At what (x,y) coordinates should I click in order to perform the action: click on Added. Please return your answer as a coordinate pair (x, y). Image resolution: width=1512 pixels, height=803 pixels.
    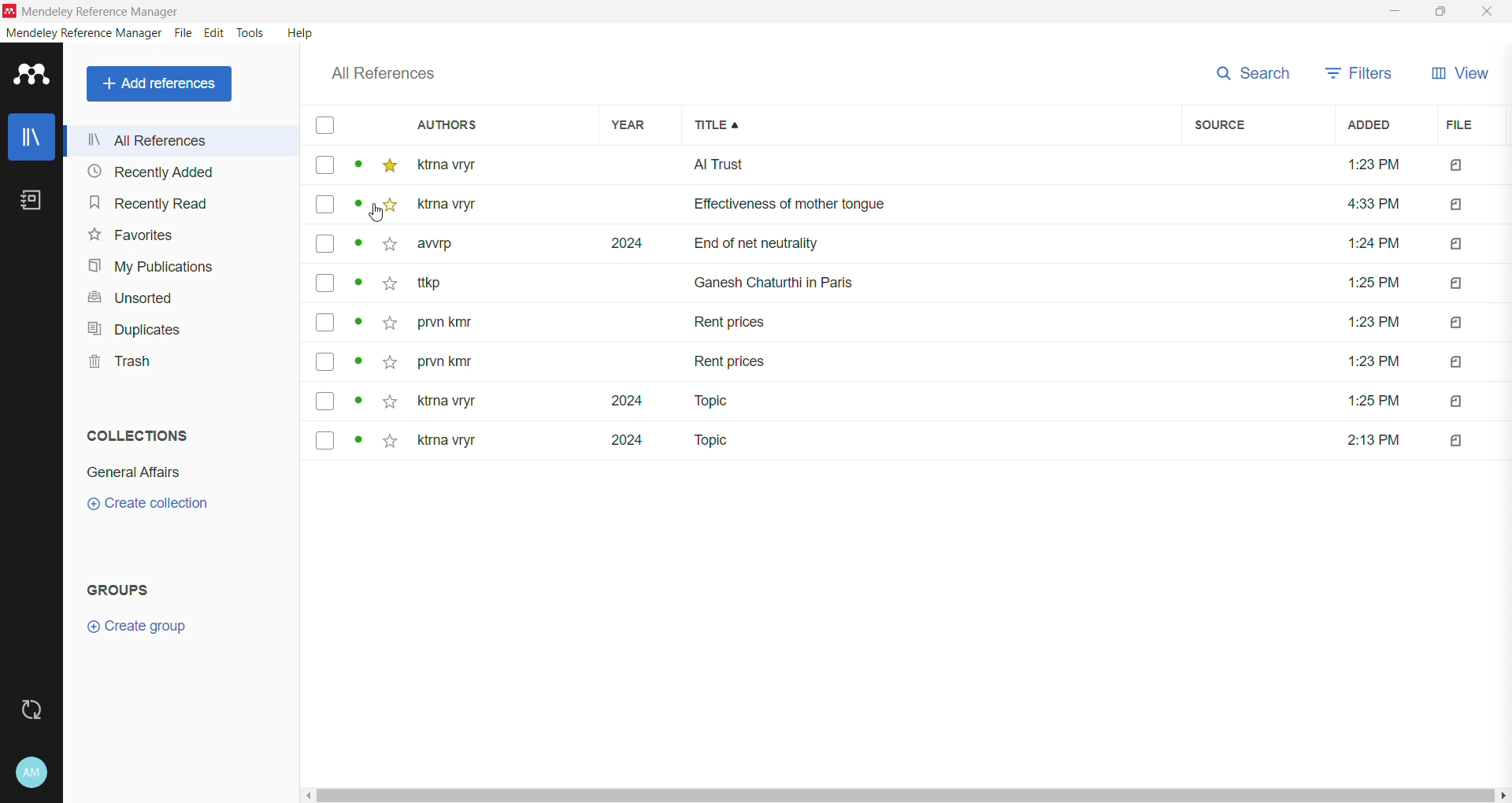
    Looking at the image, I should click on (1377, 126).